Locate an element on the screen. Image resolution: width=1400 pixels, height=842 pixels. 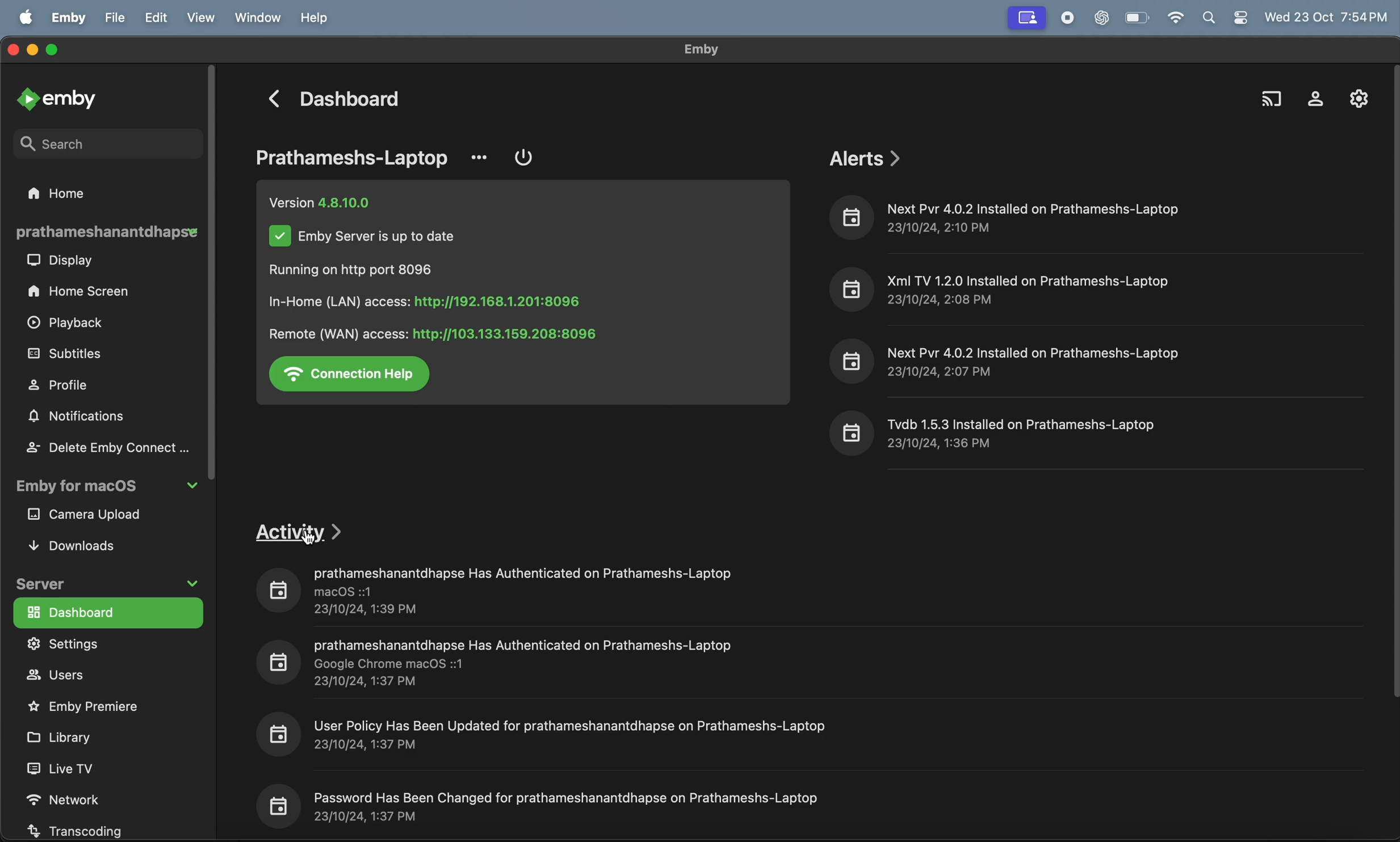
power button is located at coordinates (525, 158).